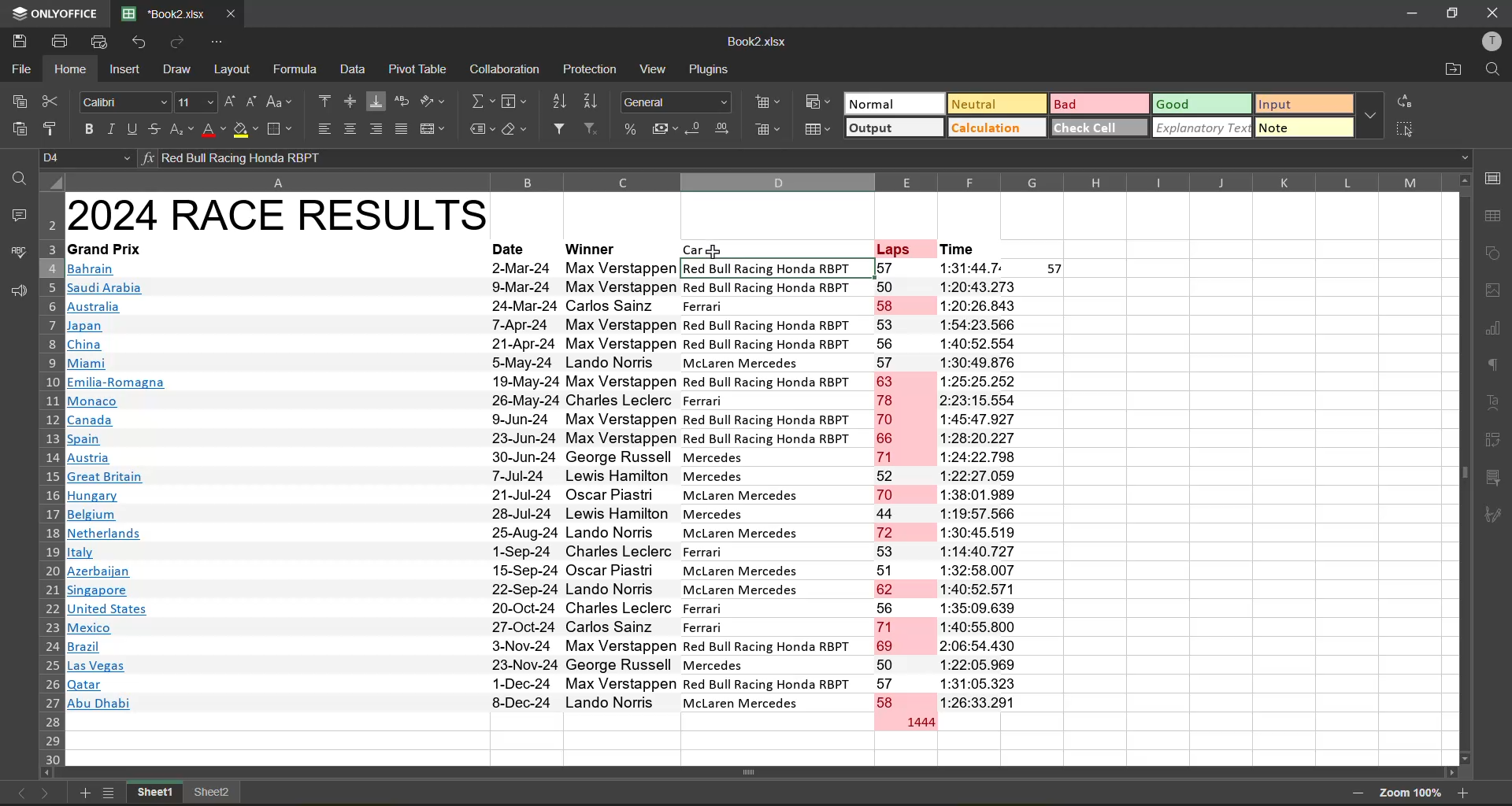  I want to click on insert, so click(124, 68).